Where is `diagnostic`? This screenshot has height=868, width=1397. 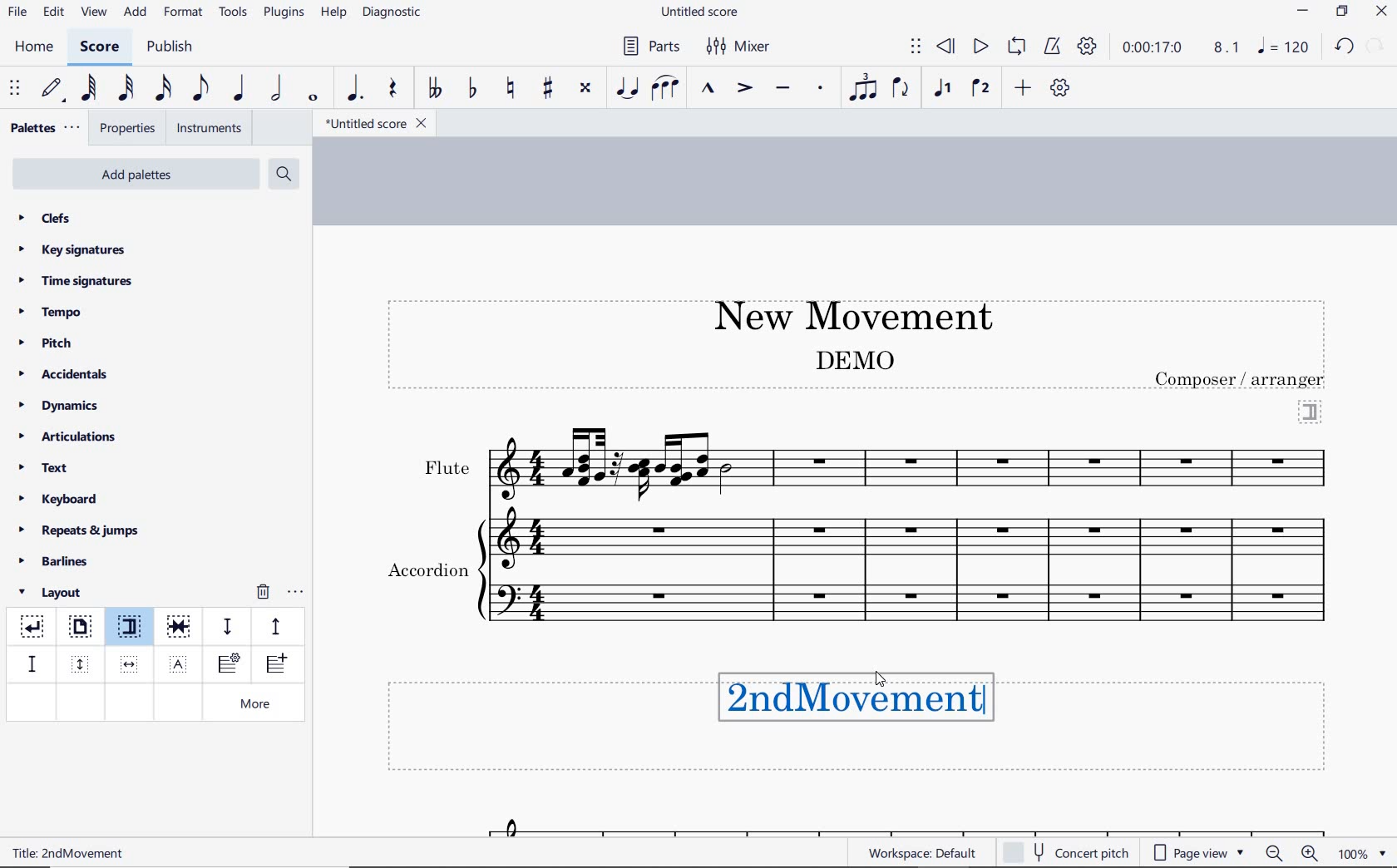 diagnostic is located at coordinates (394, 14).